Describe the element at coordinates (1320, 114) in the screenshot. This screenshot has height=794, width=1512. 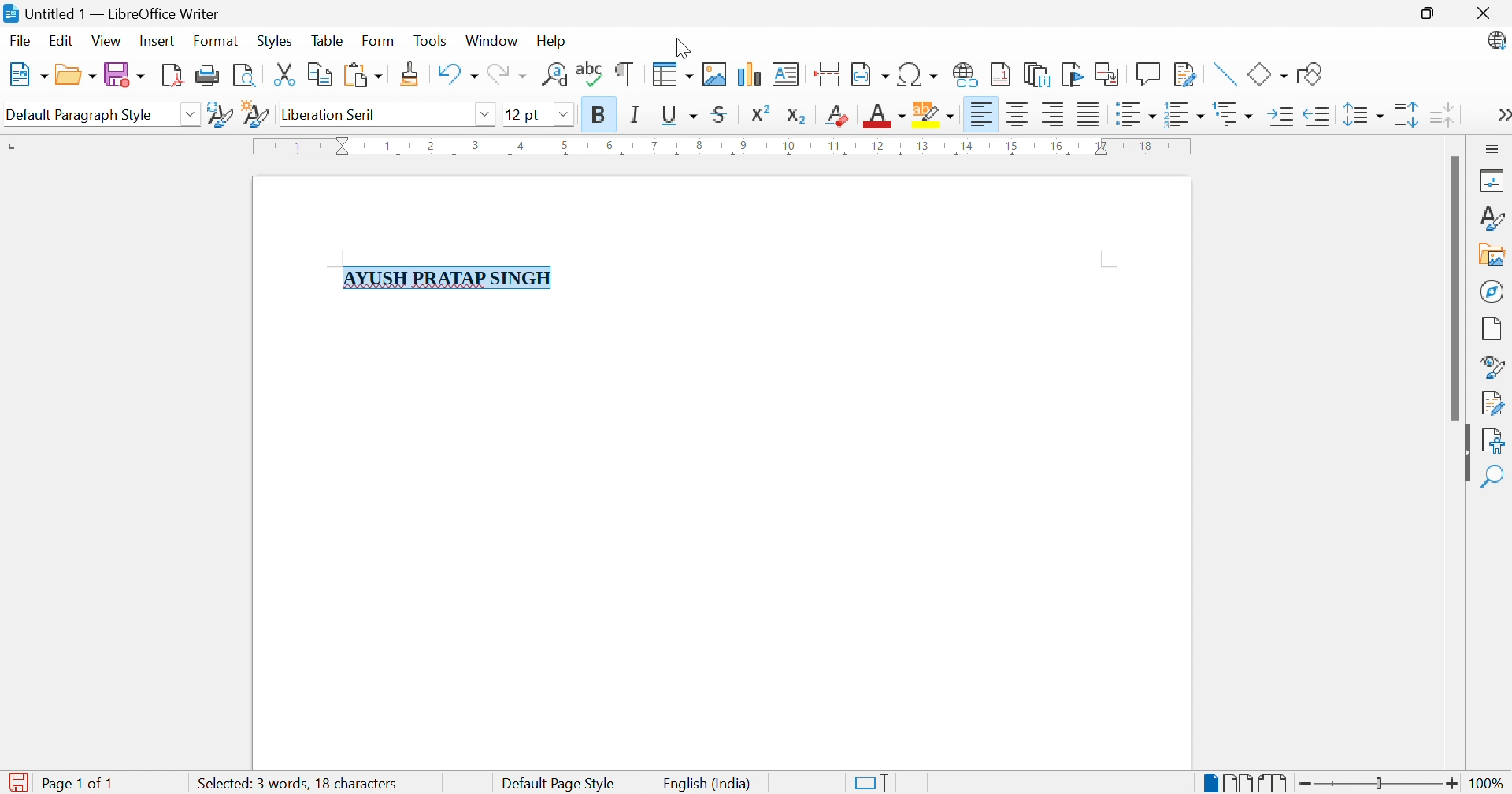
I see `Decrease Indent` at that location.